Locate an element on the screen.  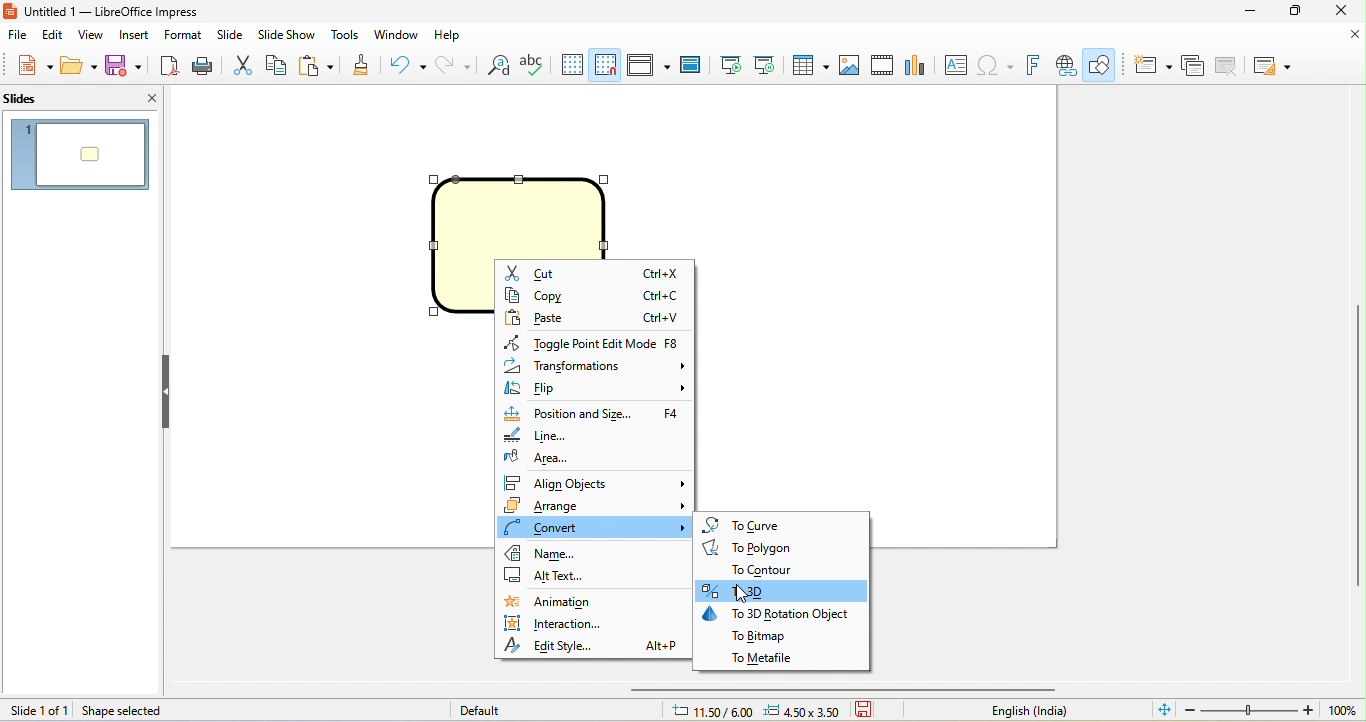
new is located at coordinates (27, 64).